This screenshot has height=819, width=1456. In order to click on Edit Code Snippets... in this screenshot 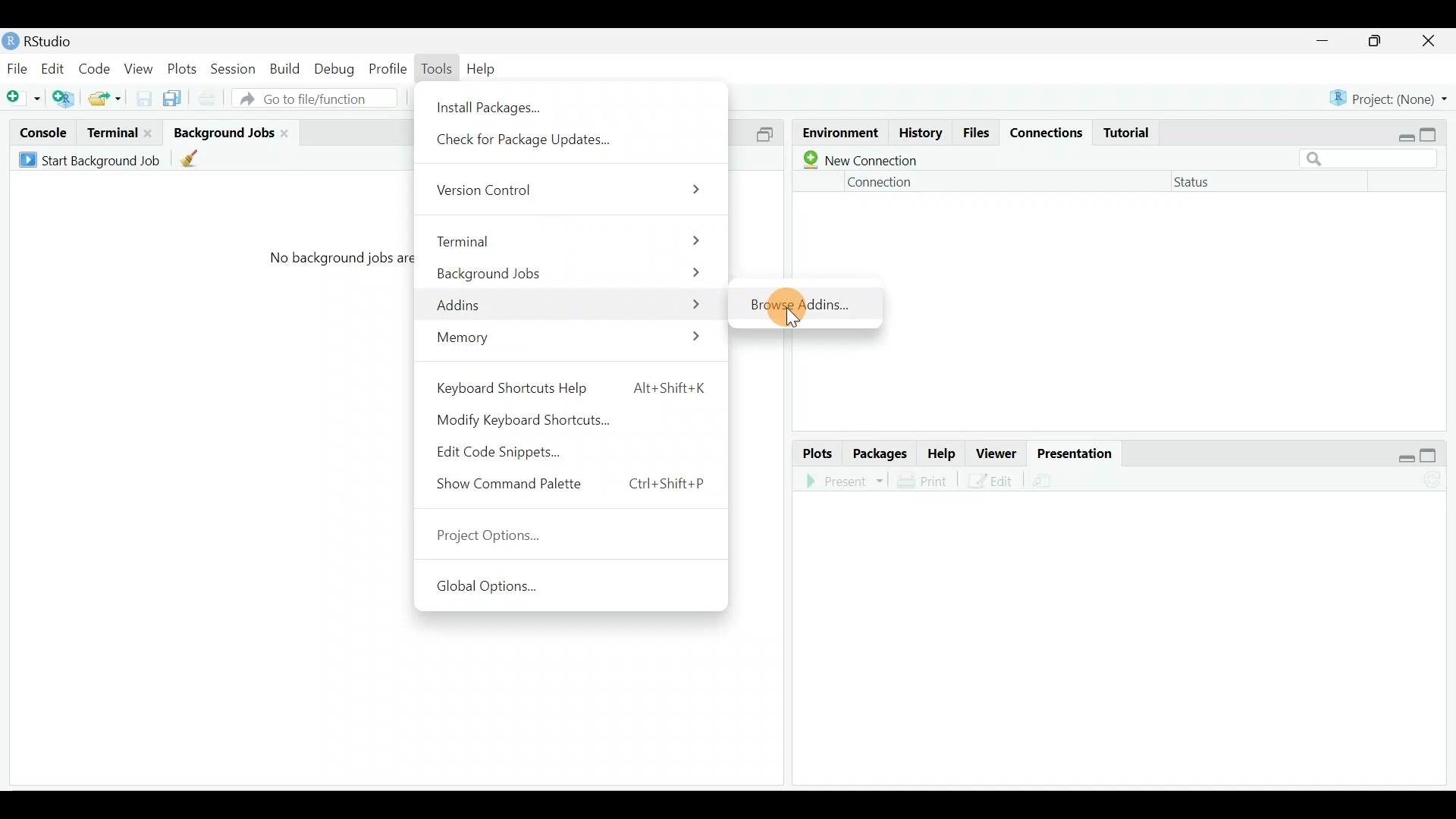, I will do `click(508, 451)`.